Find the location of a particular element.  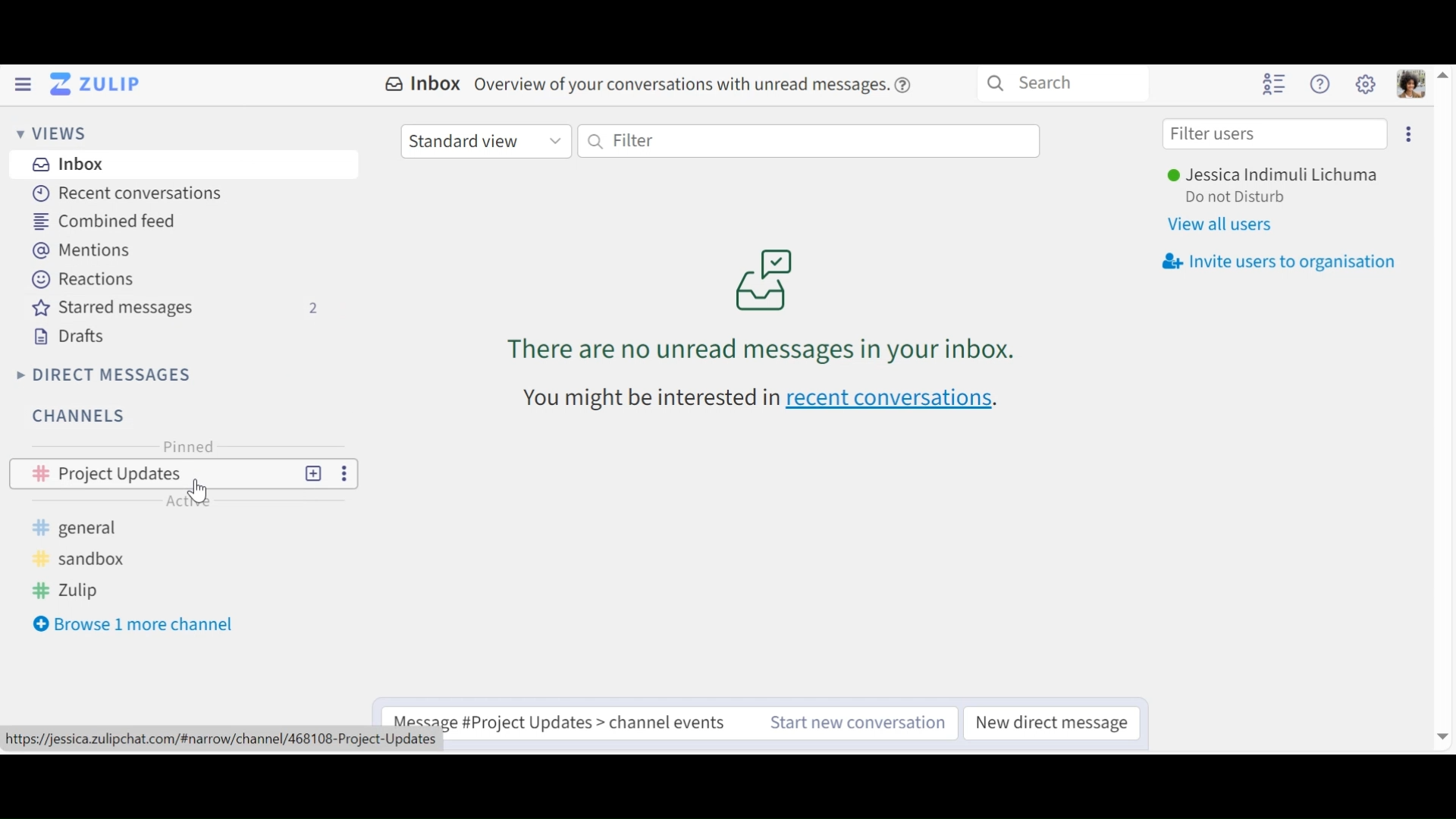

Start new conversation is located at coordinates (854, 723).